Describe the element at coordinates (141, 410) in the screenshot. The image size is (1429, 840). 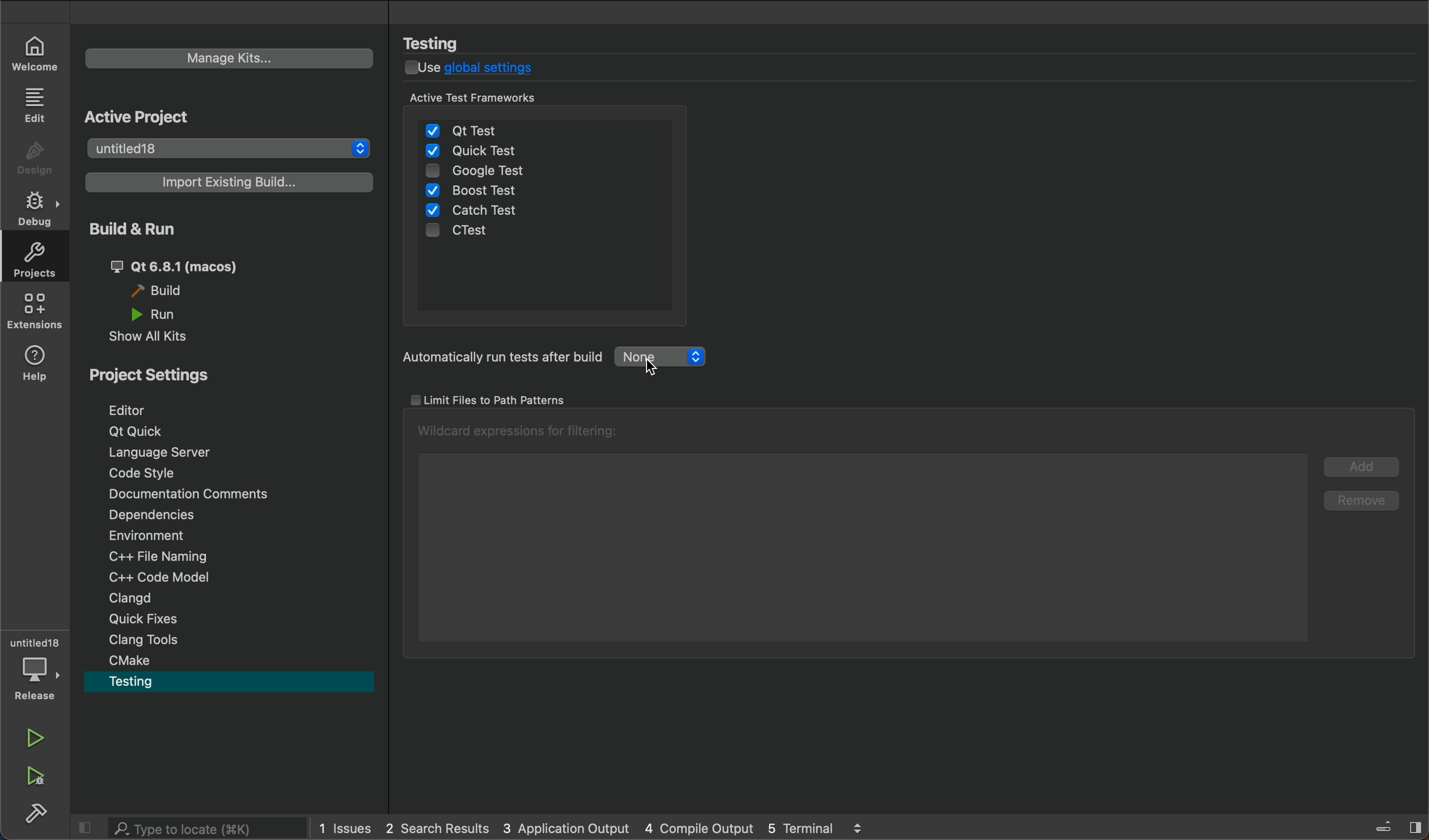
I see `editor` at that location.